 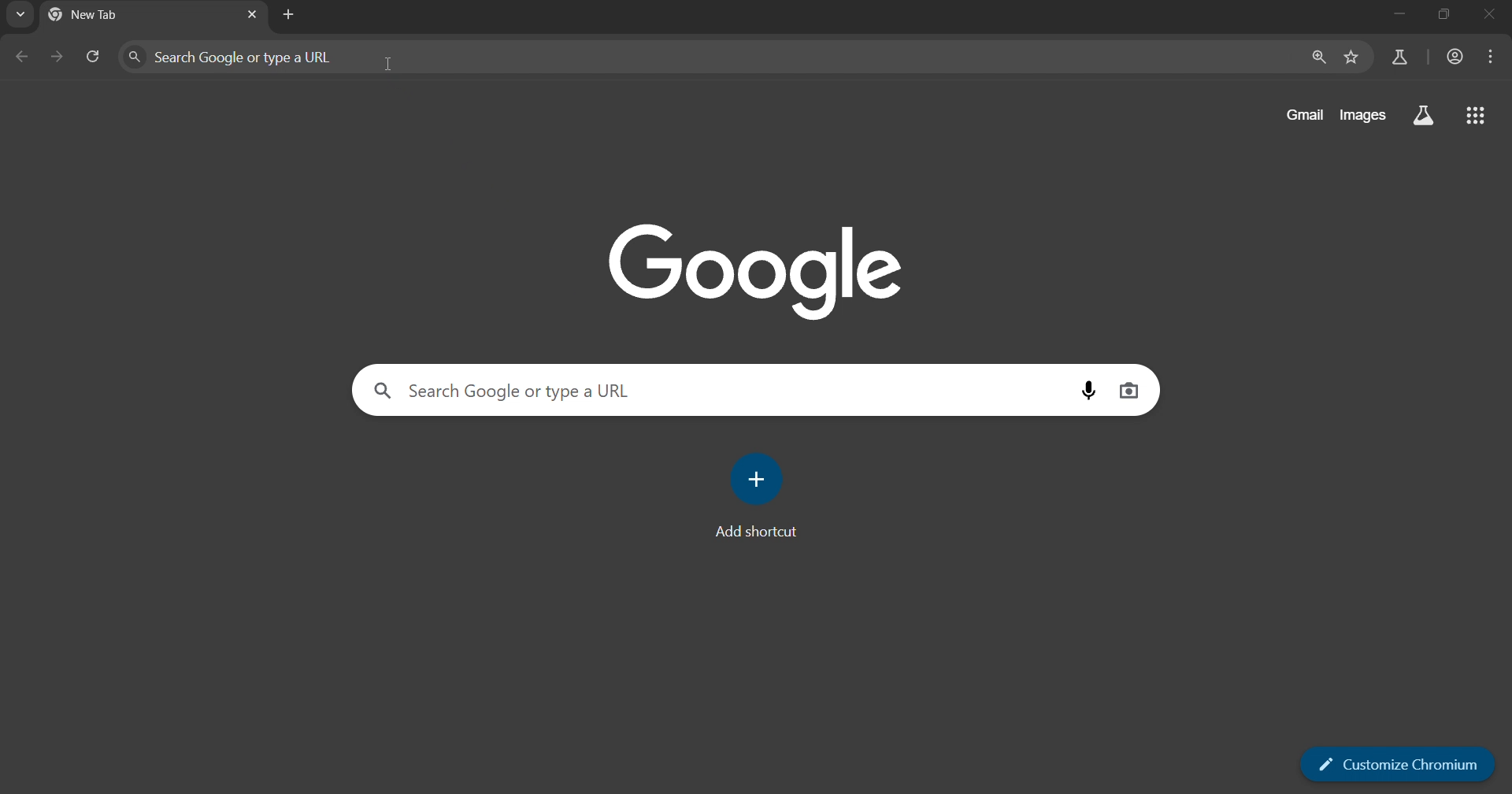 What do you see at coordinates (1478, 117) in the screenshot?
I see `google apps` at bounding box center [1478, 117].